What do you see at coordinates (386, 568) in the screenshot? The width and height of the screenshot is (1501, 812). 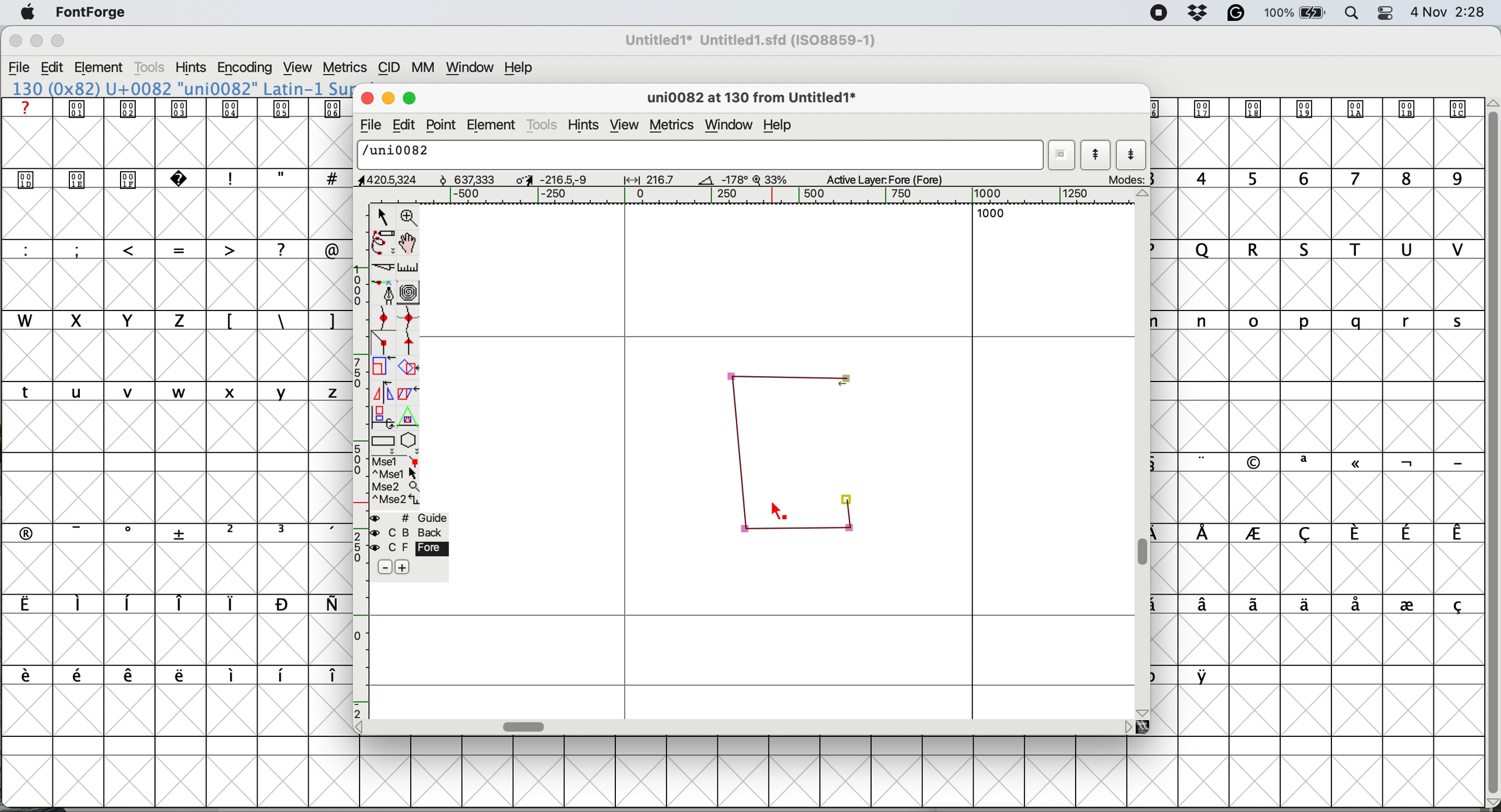 I see `remove` at bounding box center [386, 568].